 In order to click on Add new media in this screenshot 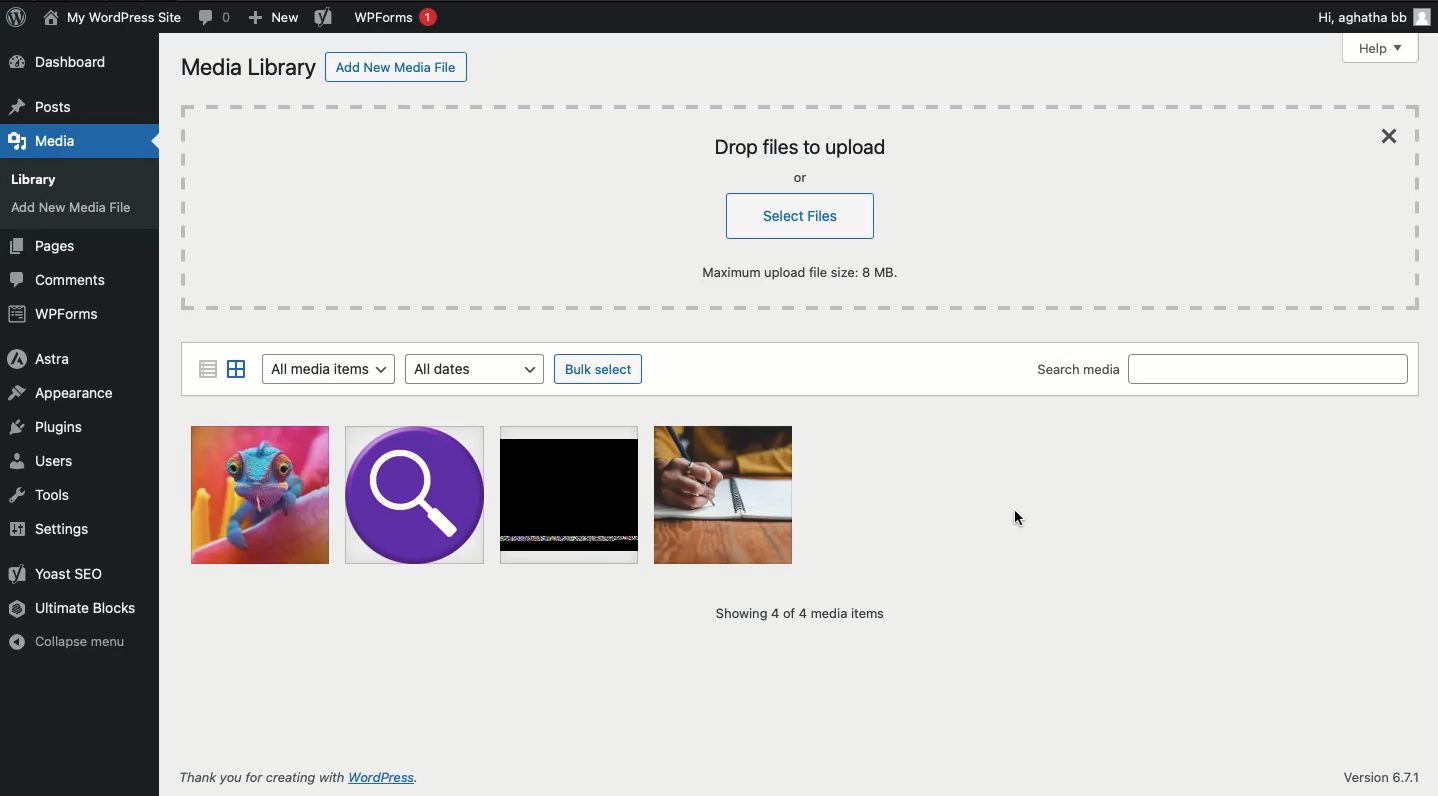, I will do `click(76, 211)`.